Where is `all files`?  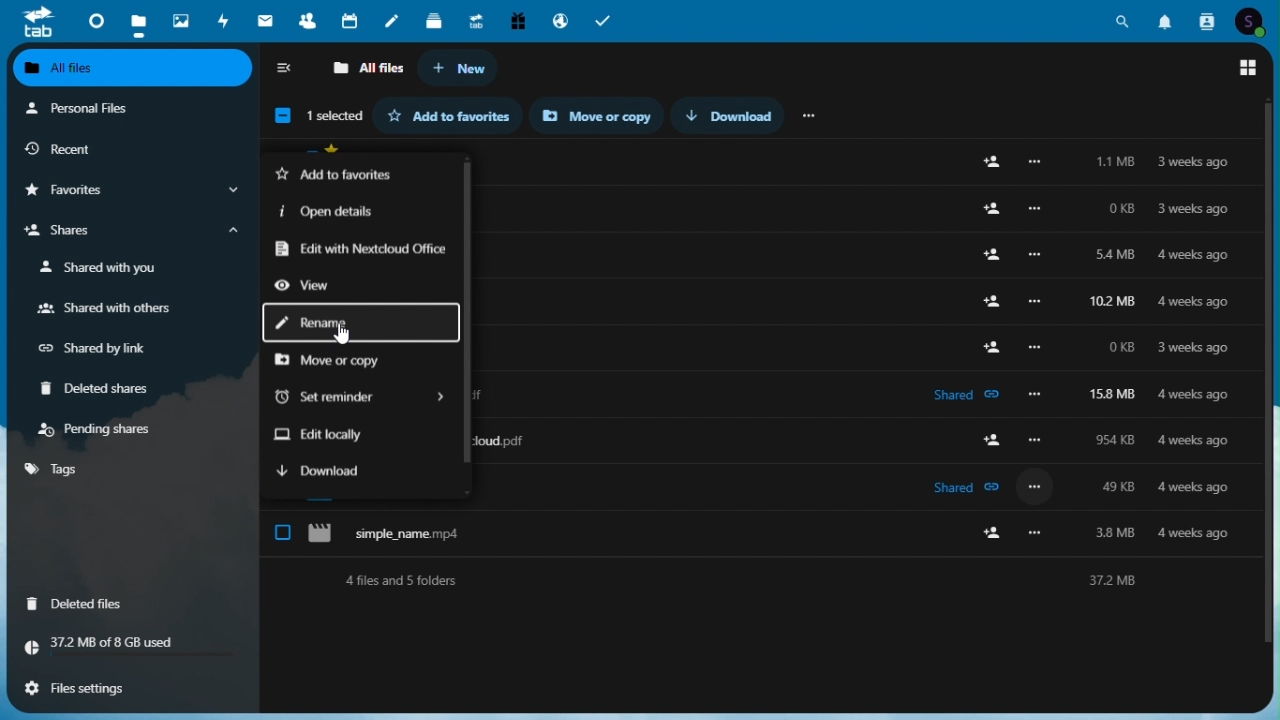 all files is located at coordinates (134, 70).